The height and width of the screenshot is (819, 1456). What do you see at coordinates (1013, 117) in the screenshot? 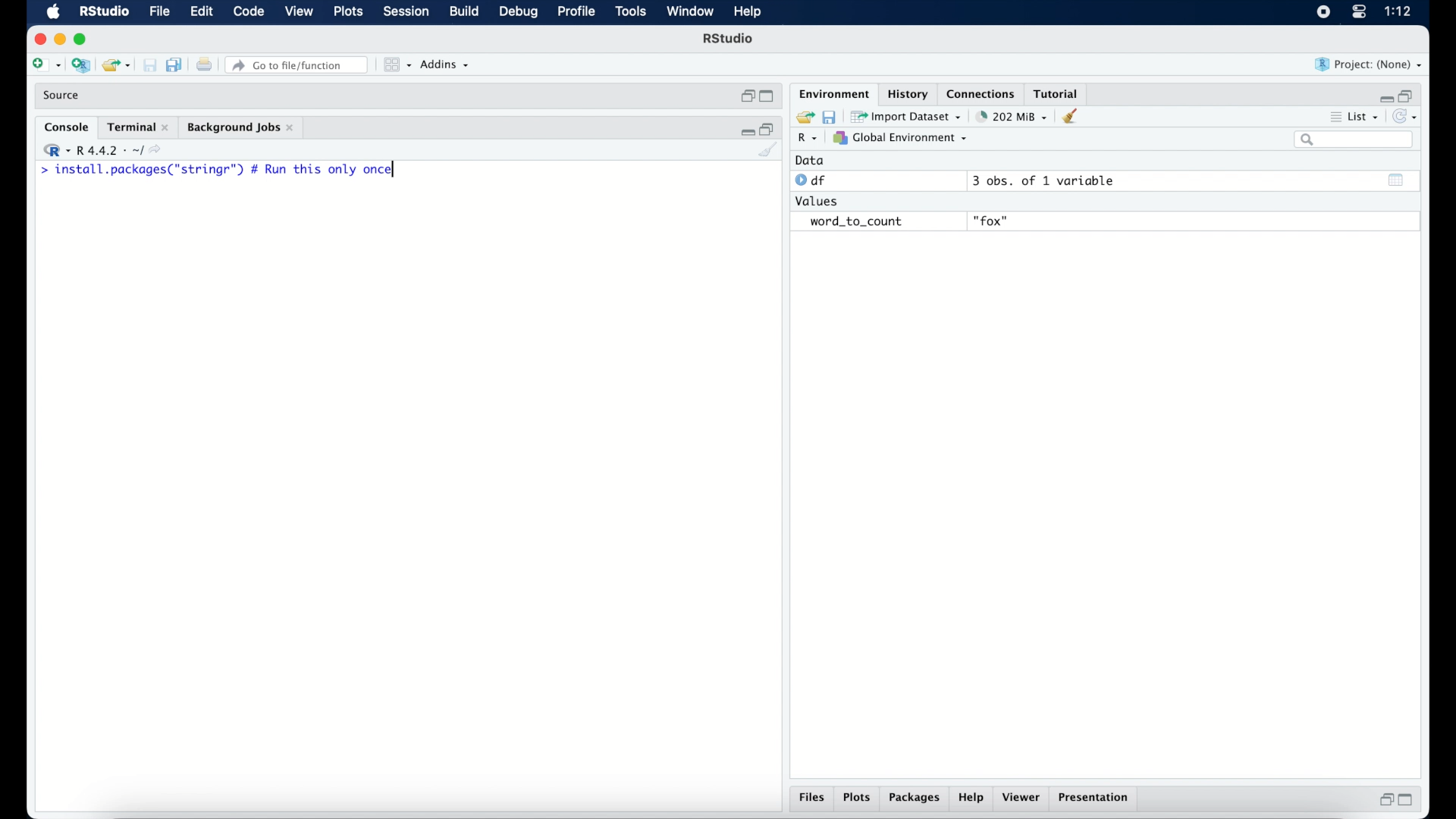
I see `203 MB` at bounding box center [1013, 117].